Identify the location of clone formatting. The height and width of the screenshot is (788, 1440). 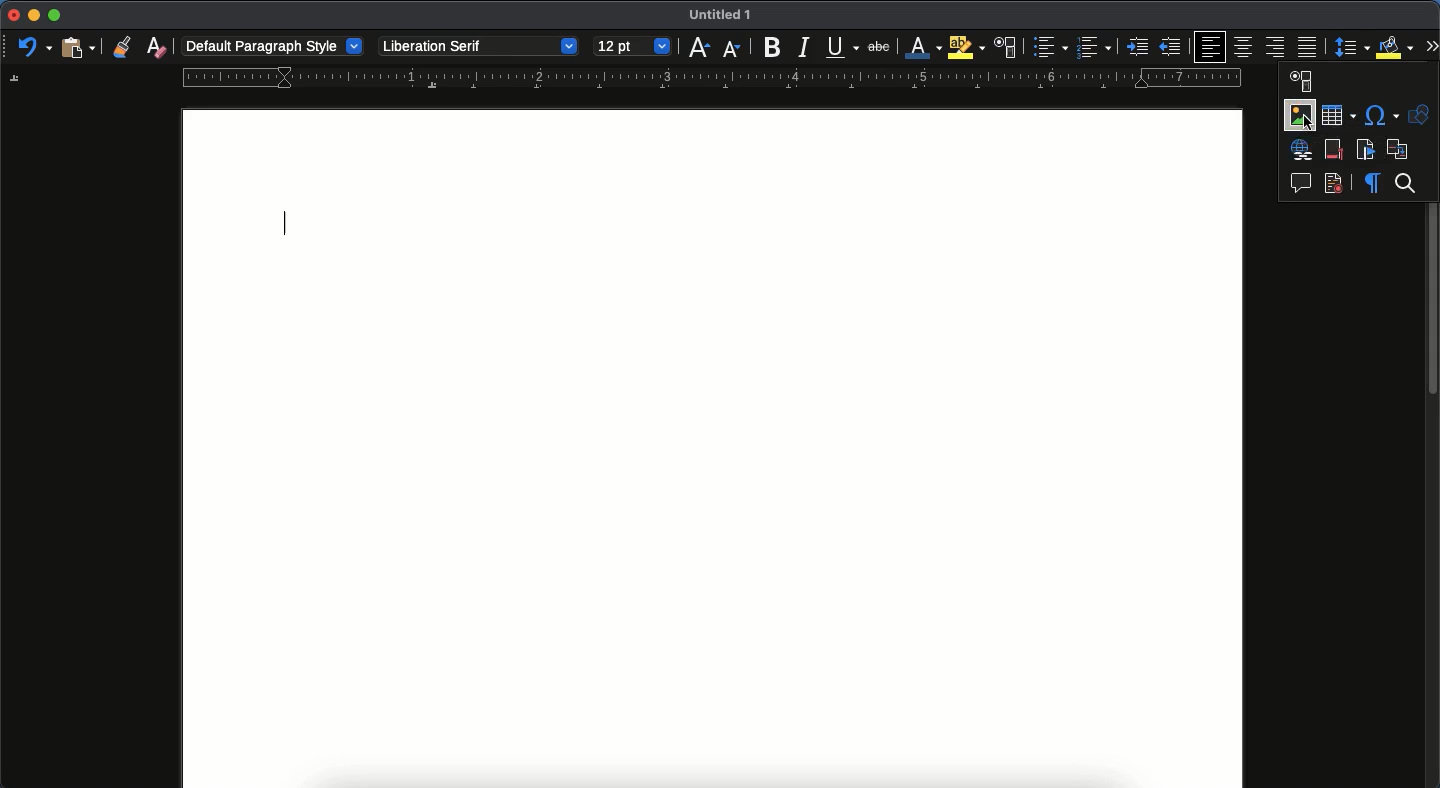
(121, 47).